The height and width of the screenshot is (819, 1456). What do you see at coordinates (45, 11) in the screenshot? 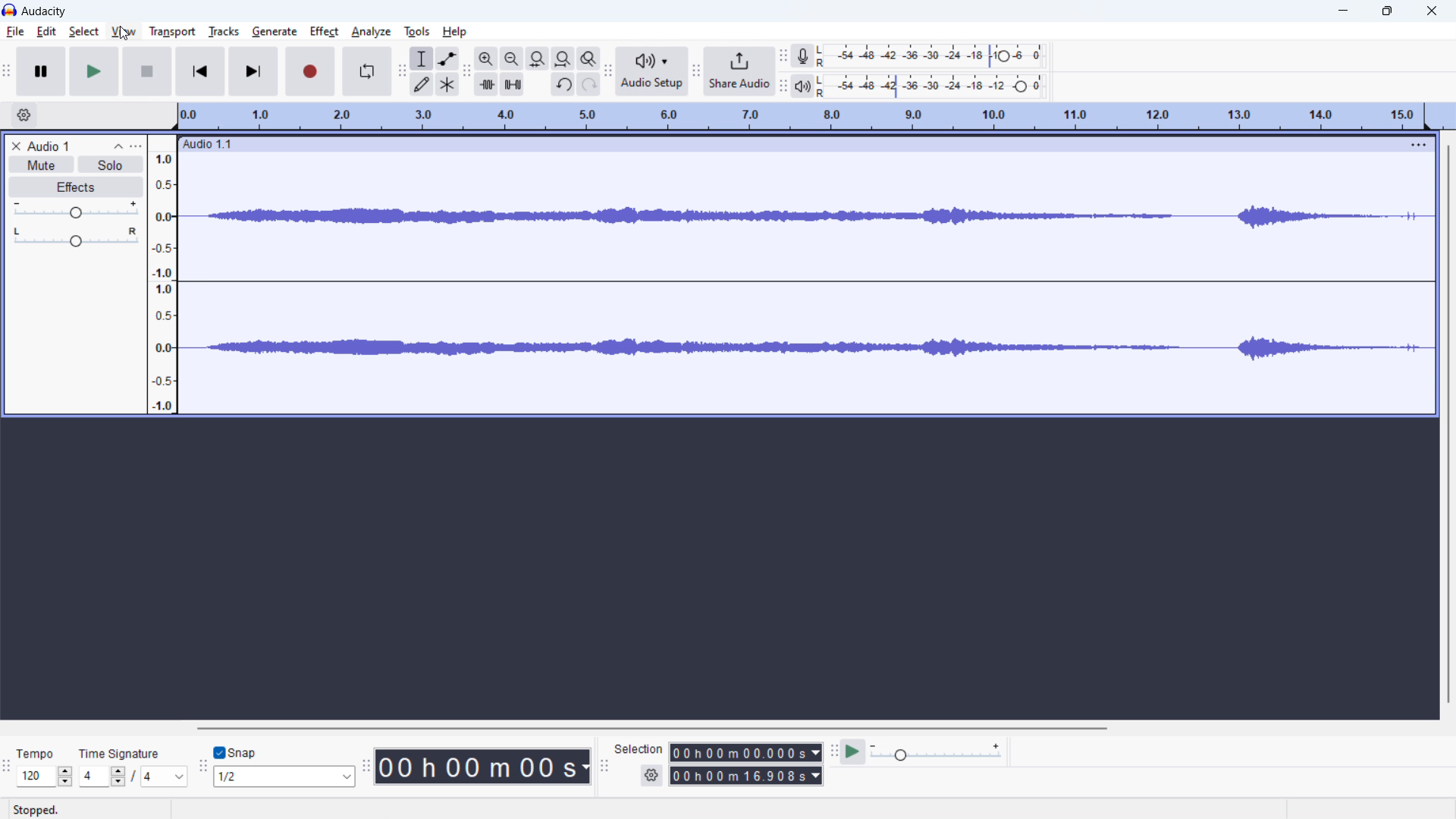
I see `title` at bounding box center [45, 11].